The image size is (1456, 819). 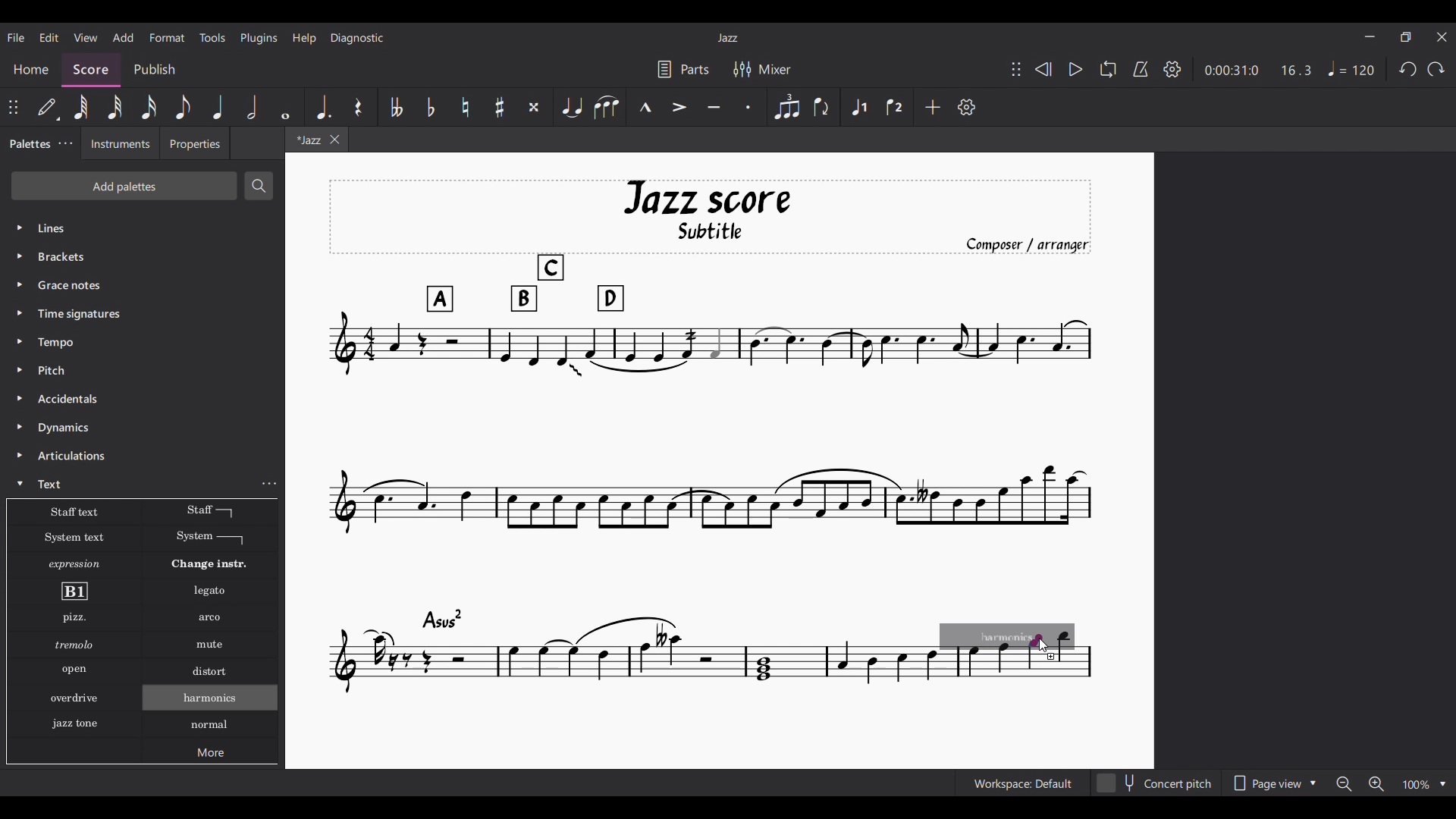 What do you see at coordinates (684, 69) in the screenshot?
I see `Parts settings` at bounding box center [684, 69].